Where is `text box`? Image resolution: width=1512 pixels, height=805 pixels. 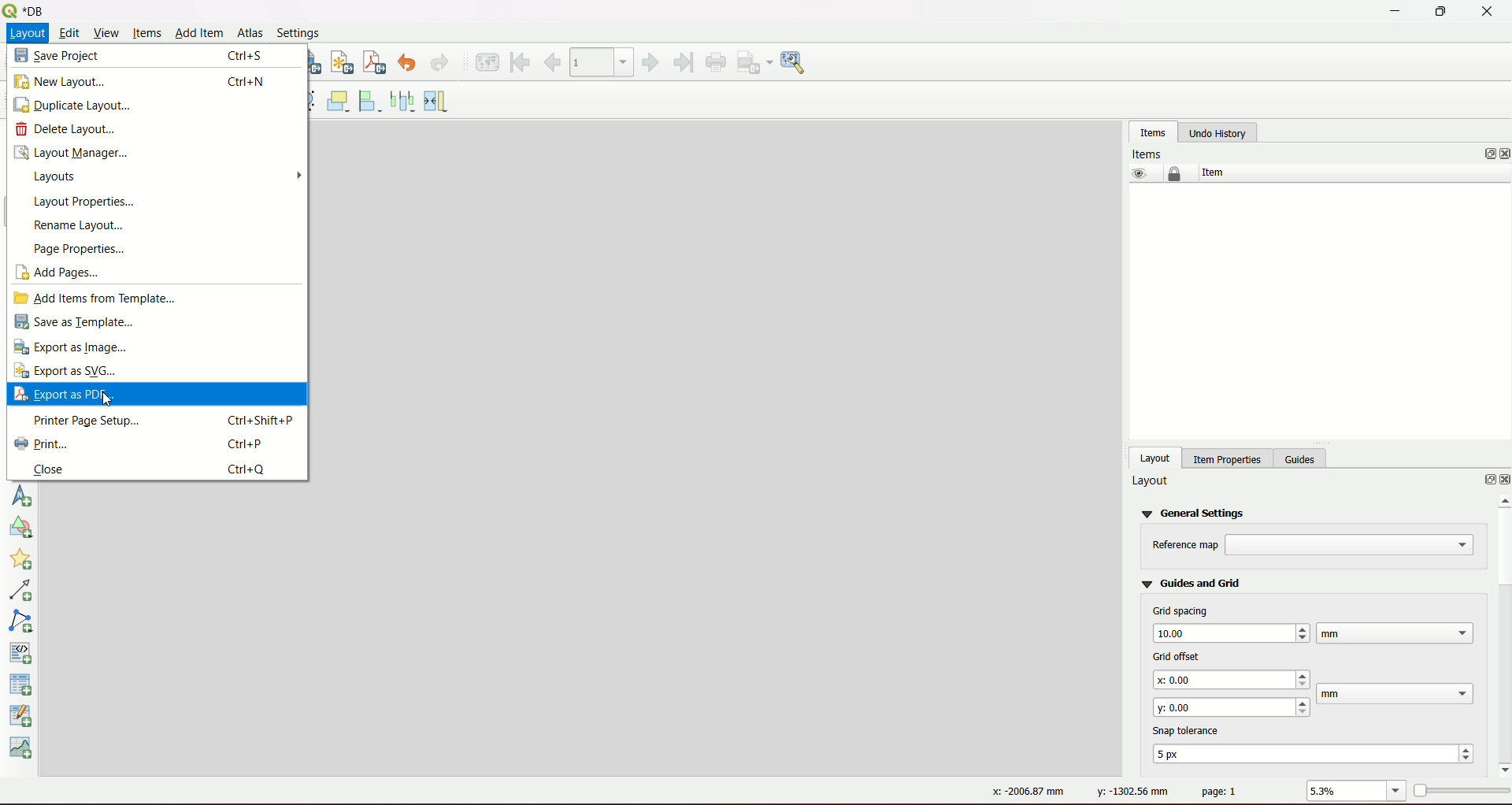
text box is located at coordinates (1317, 753).